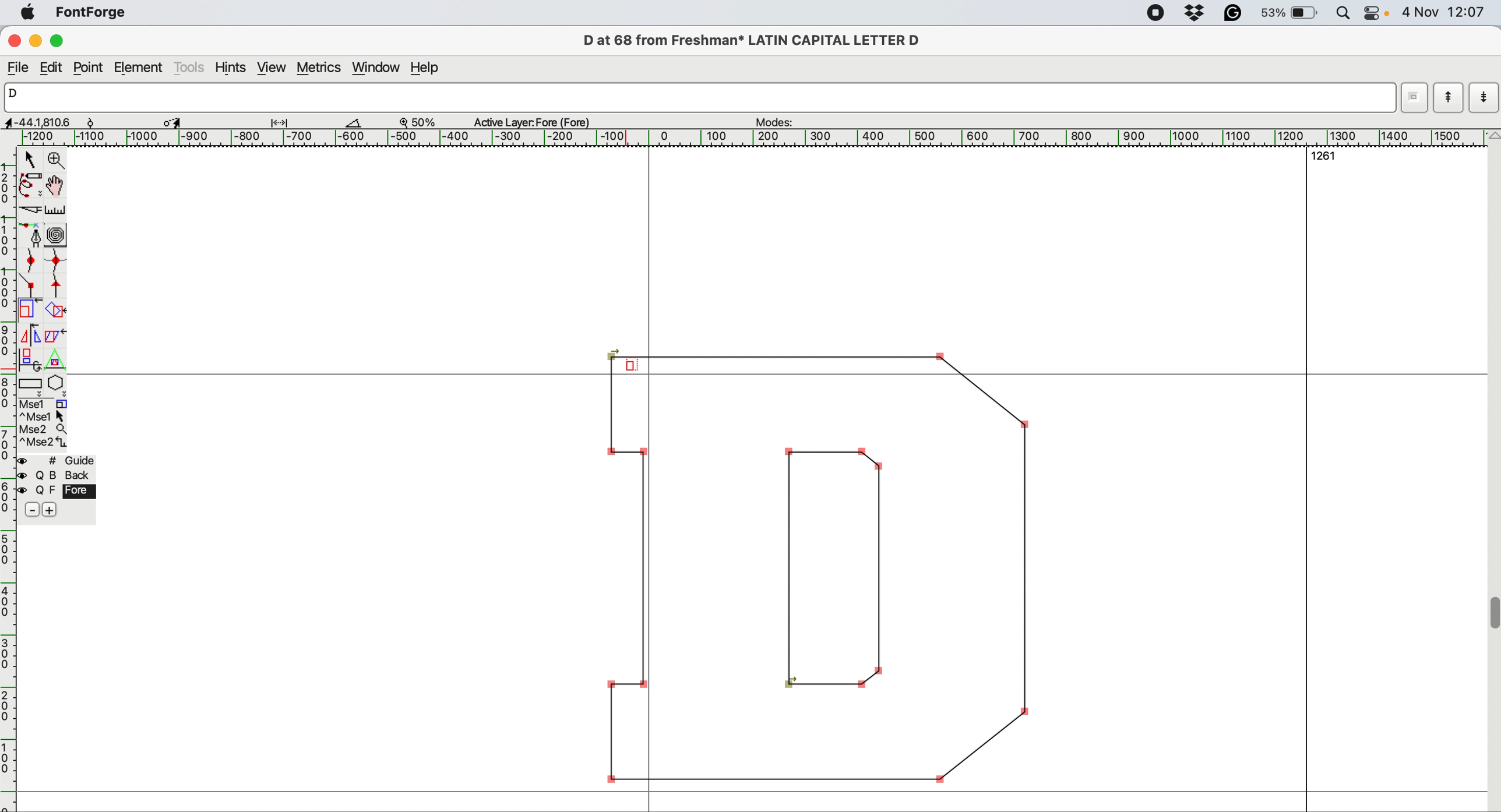 The width and height of the screenshot is (1501, 812). Describe the element at coordinates (782, 122) in the screenshot. I see `modes` at that location.